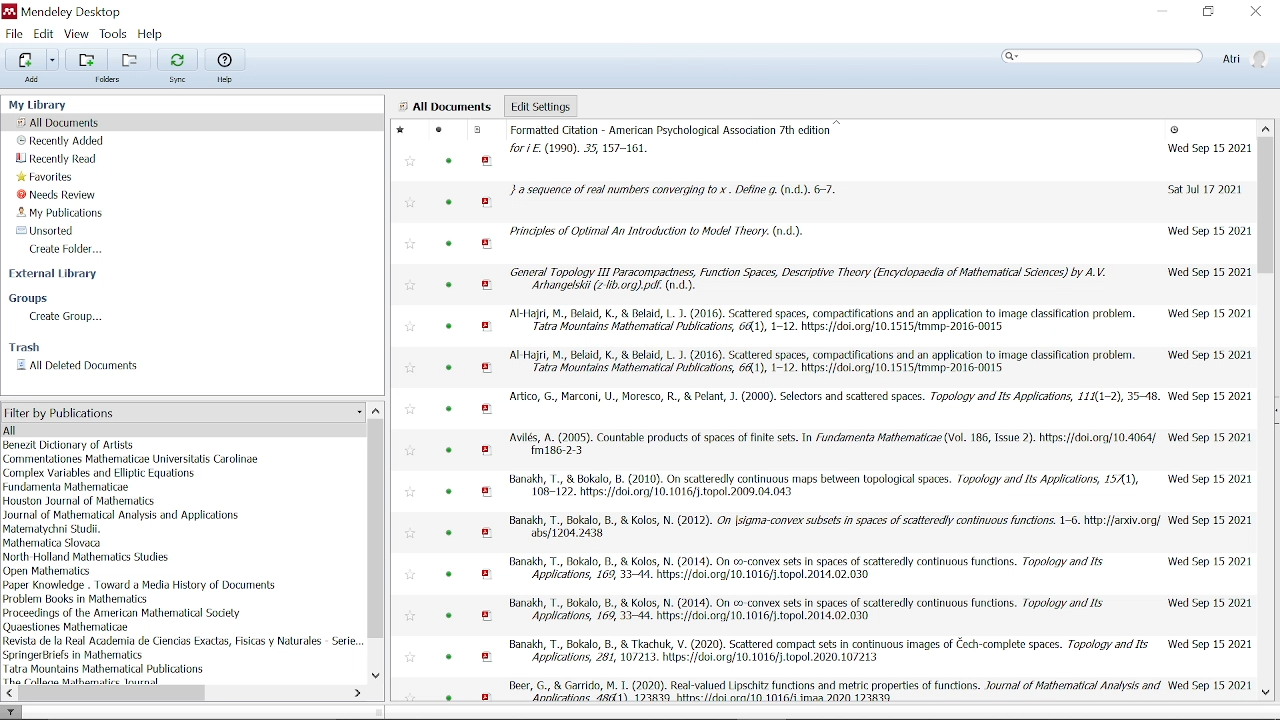 Image resolution: width=1280 pixels, height=720 pixels. Describe the element at coordinates (10, 11) in the screenshot. I see `icon` at that location.